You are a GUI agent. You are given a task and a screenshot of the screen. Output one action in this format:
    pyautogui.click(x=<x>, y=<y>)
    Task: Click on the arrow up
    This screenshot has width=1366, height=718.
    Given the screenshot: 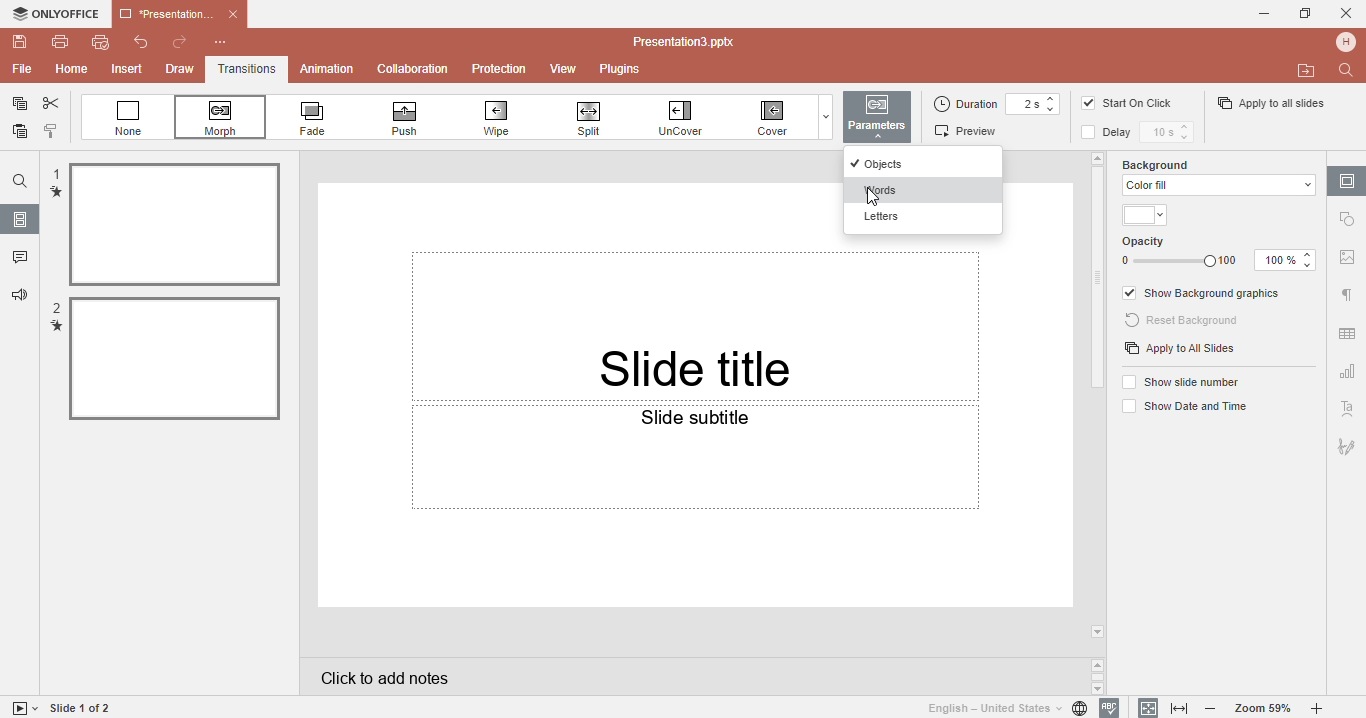 What is the action you would take?
    pyautogui.click(x=1097, y=157)
    